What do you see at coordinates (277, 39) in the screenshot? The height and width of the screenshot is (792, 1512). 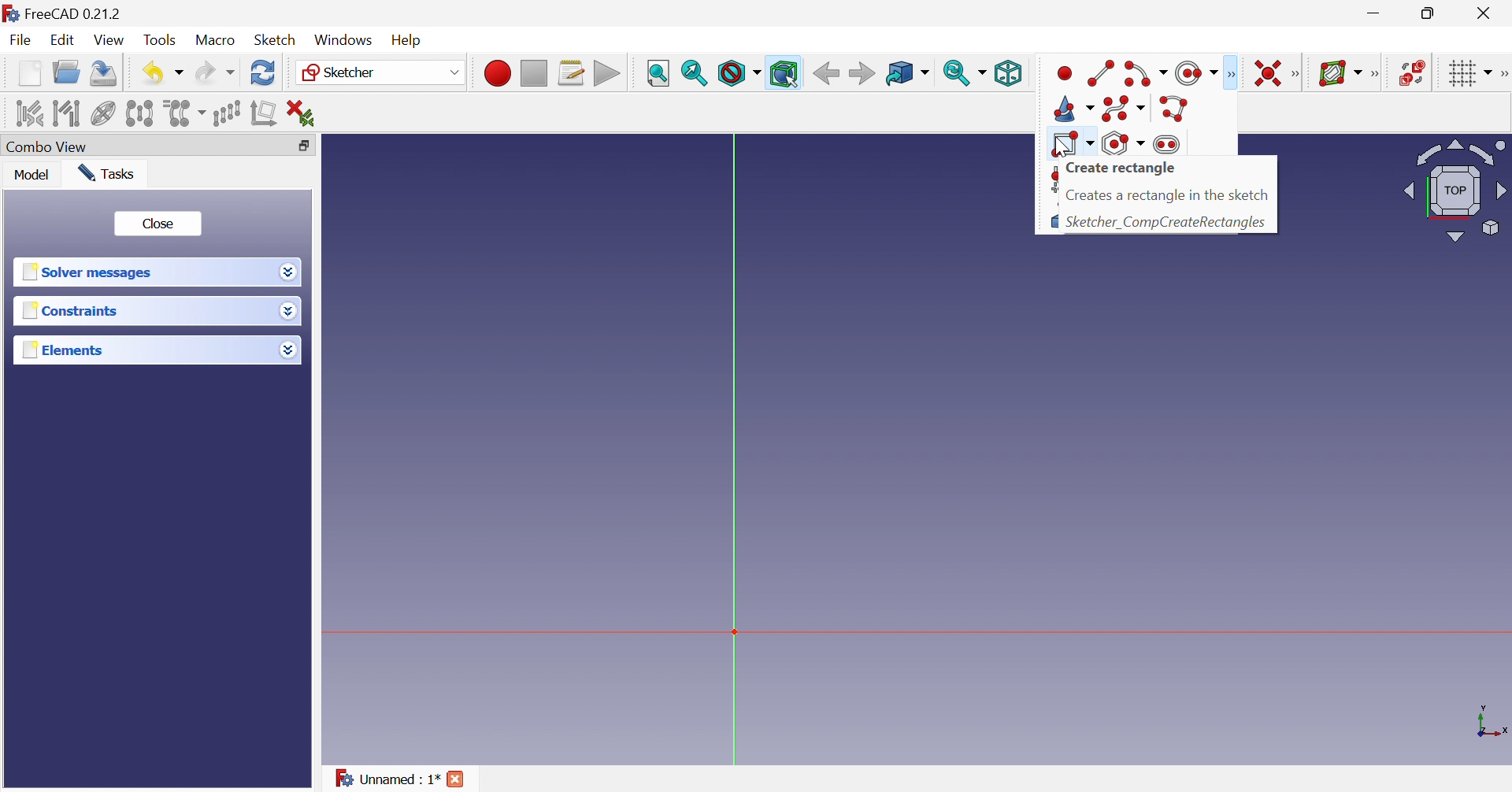 I see `Sketch` at bounding box center [277, 39].